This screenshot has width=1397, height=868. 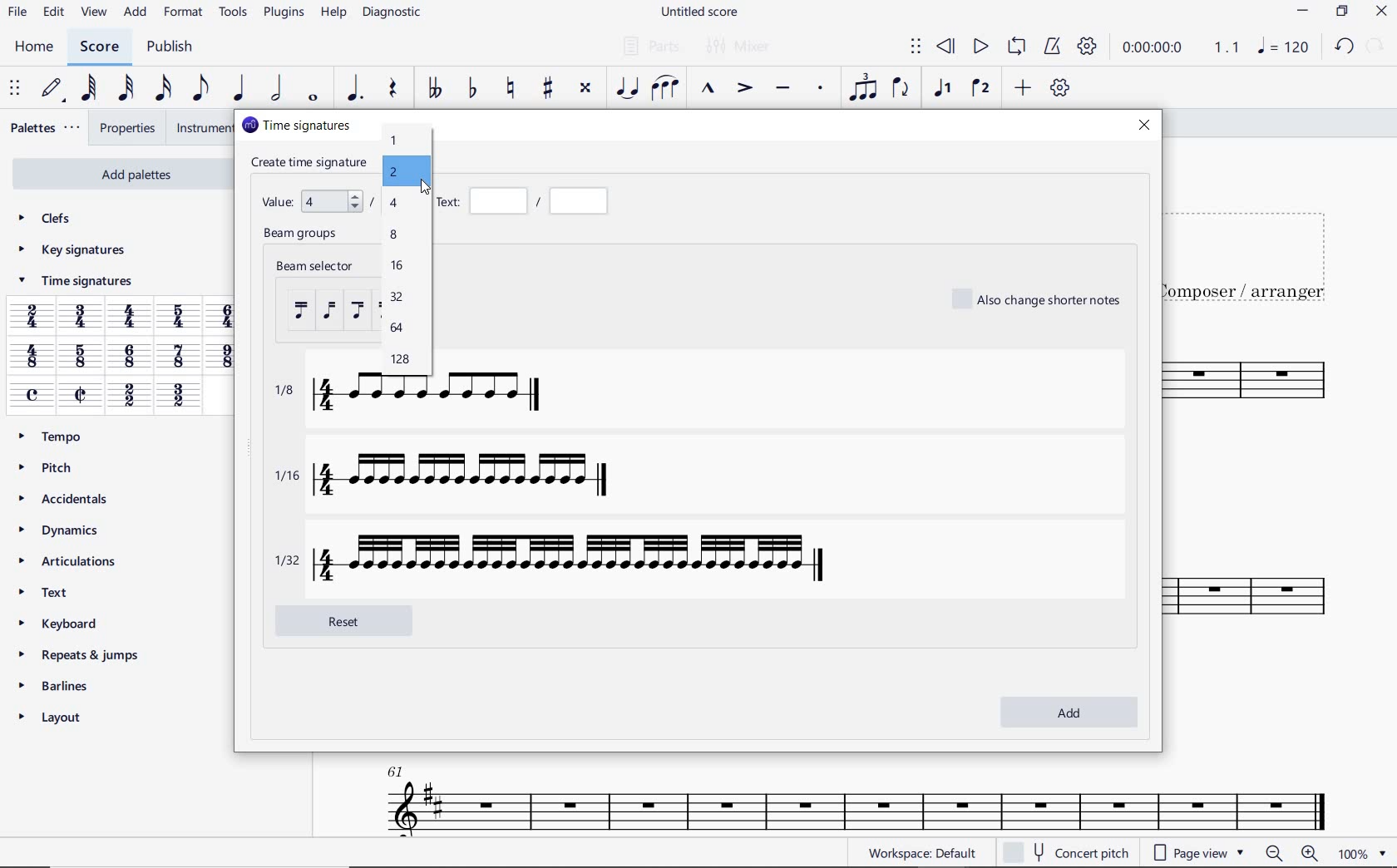 What do you see at coordinates (429, 402) in the screenshot?
I see `1/8` at bounding box center [429, 402].